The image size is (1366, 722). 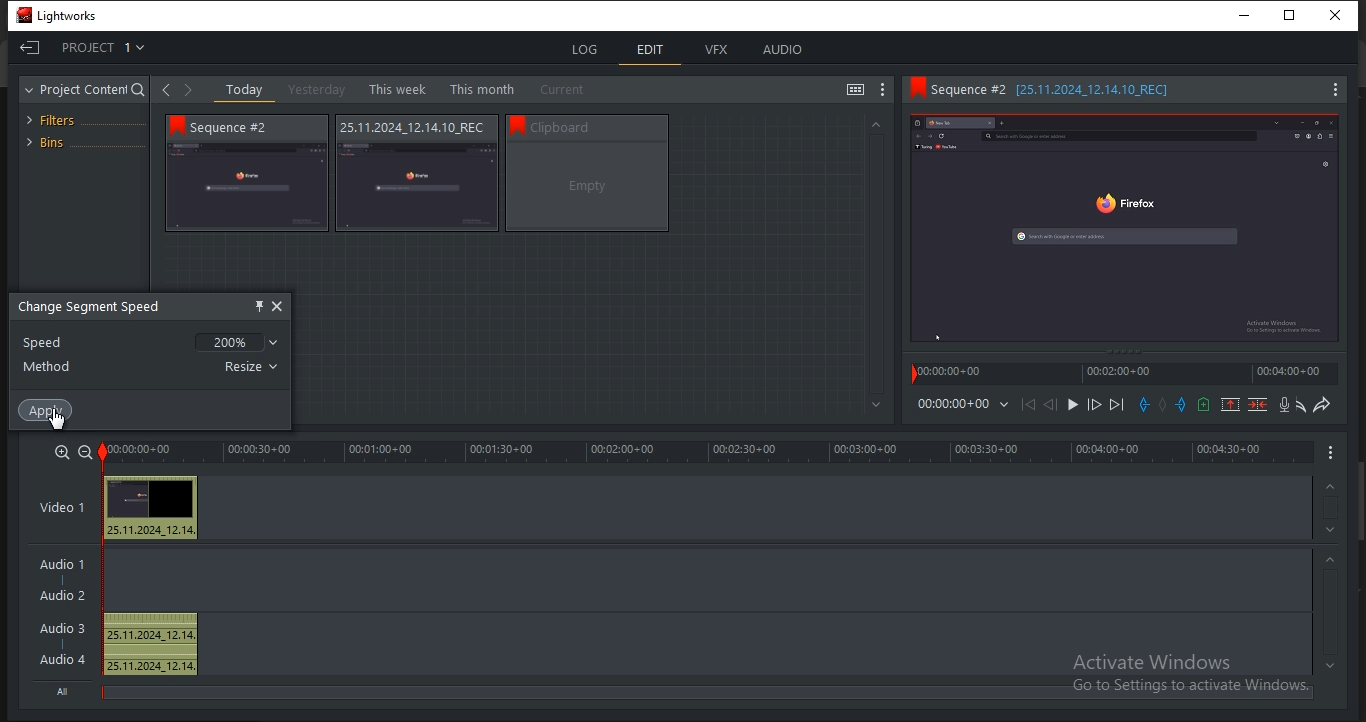 What do you see at coordinates (907, 375) in the screenshot?
I see `Playback marker` at bounding box center [907, 375].